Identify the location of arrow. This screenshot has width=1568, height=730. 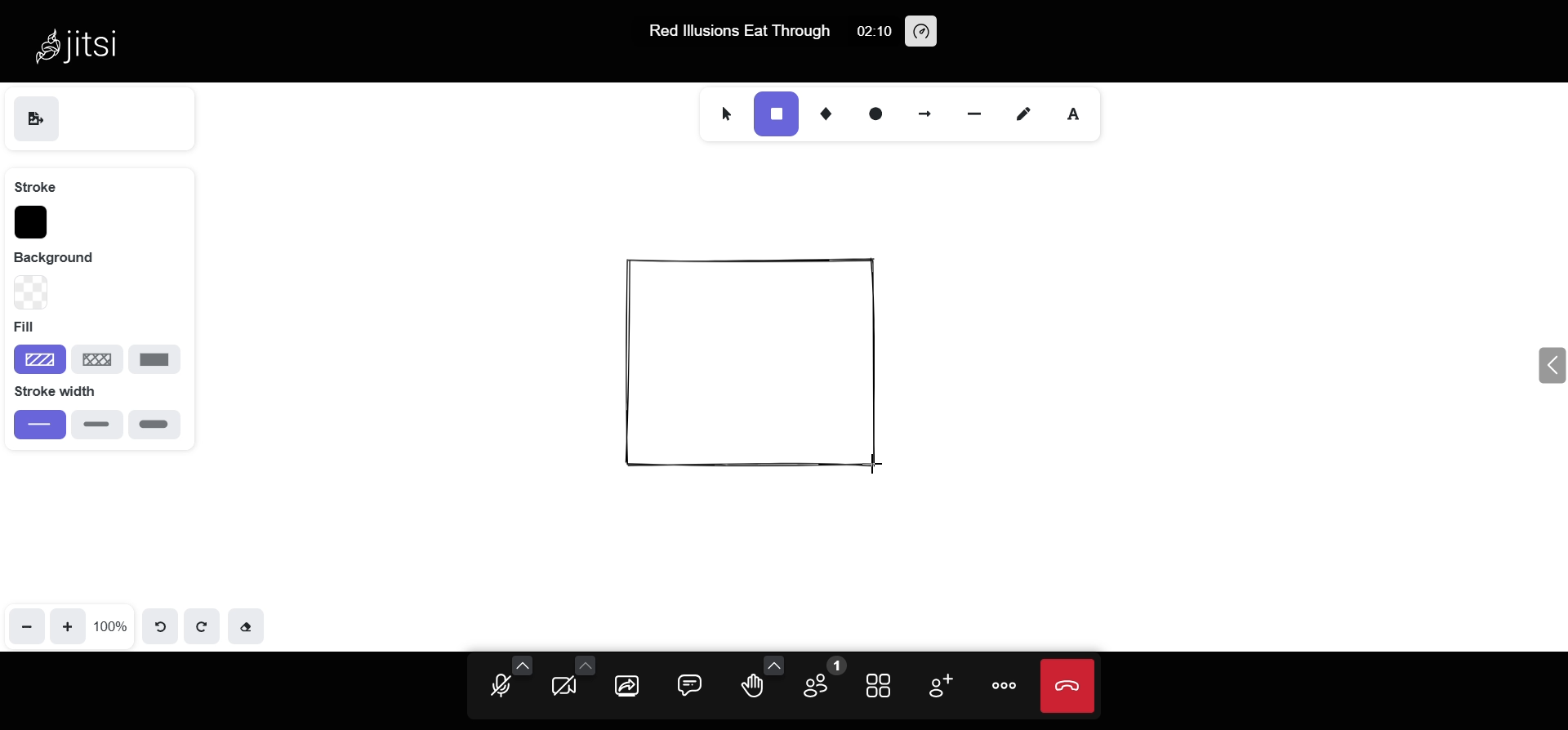
(922, 109).